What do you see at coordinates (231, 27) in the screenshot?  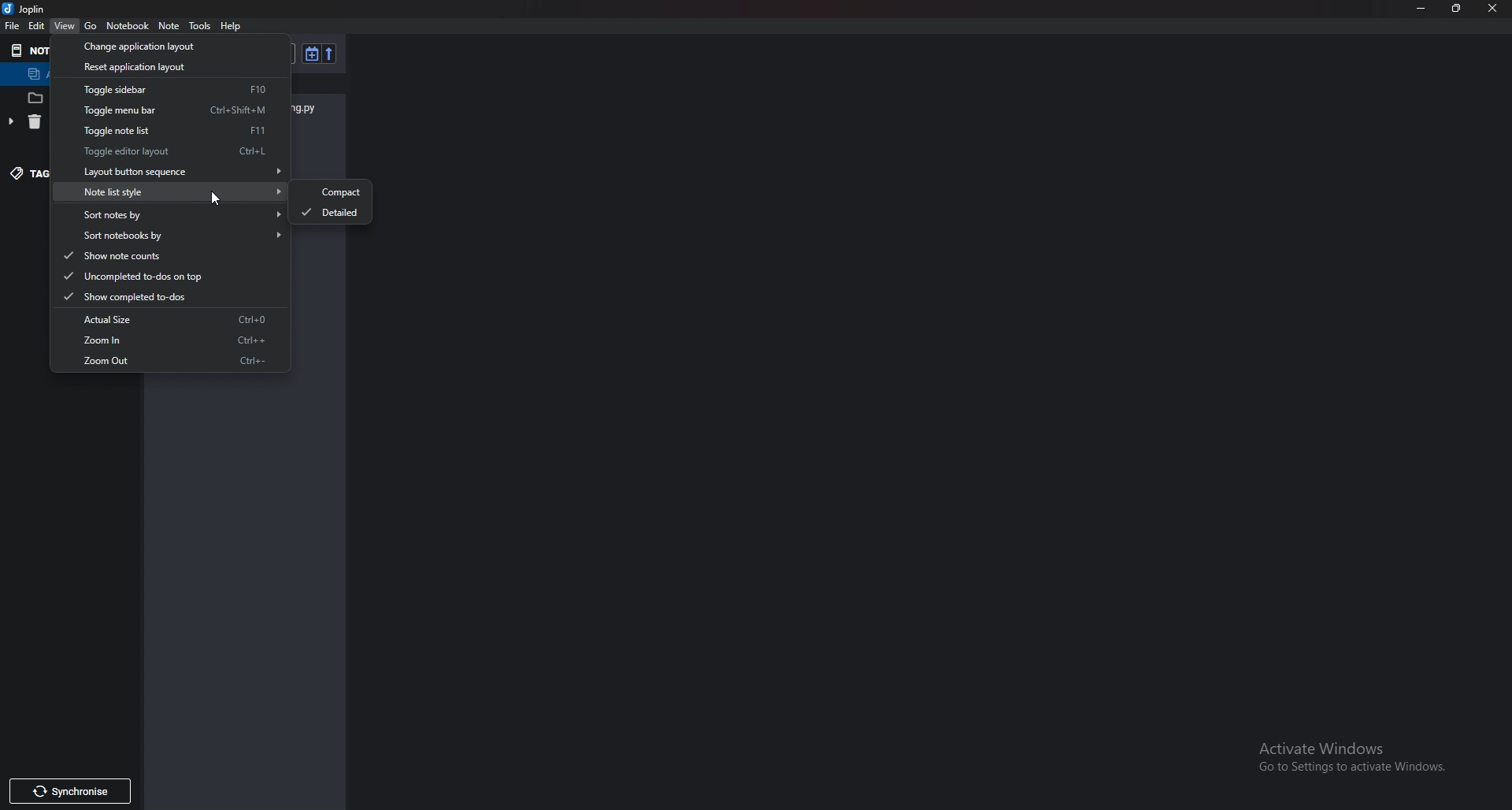 I see `help` at bounding box center [231, 27].